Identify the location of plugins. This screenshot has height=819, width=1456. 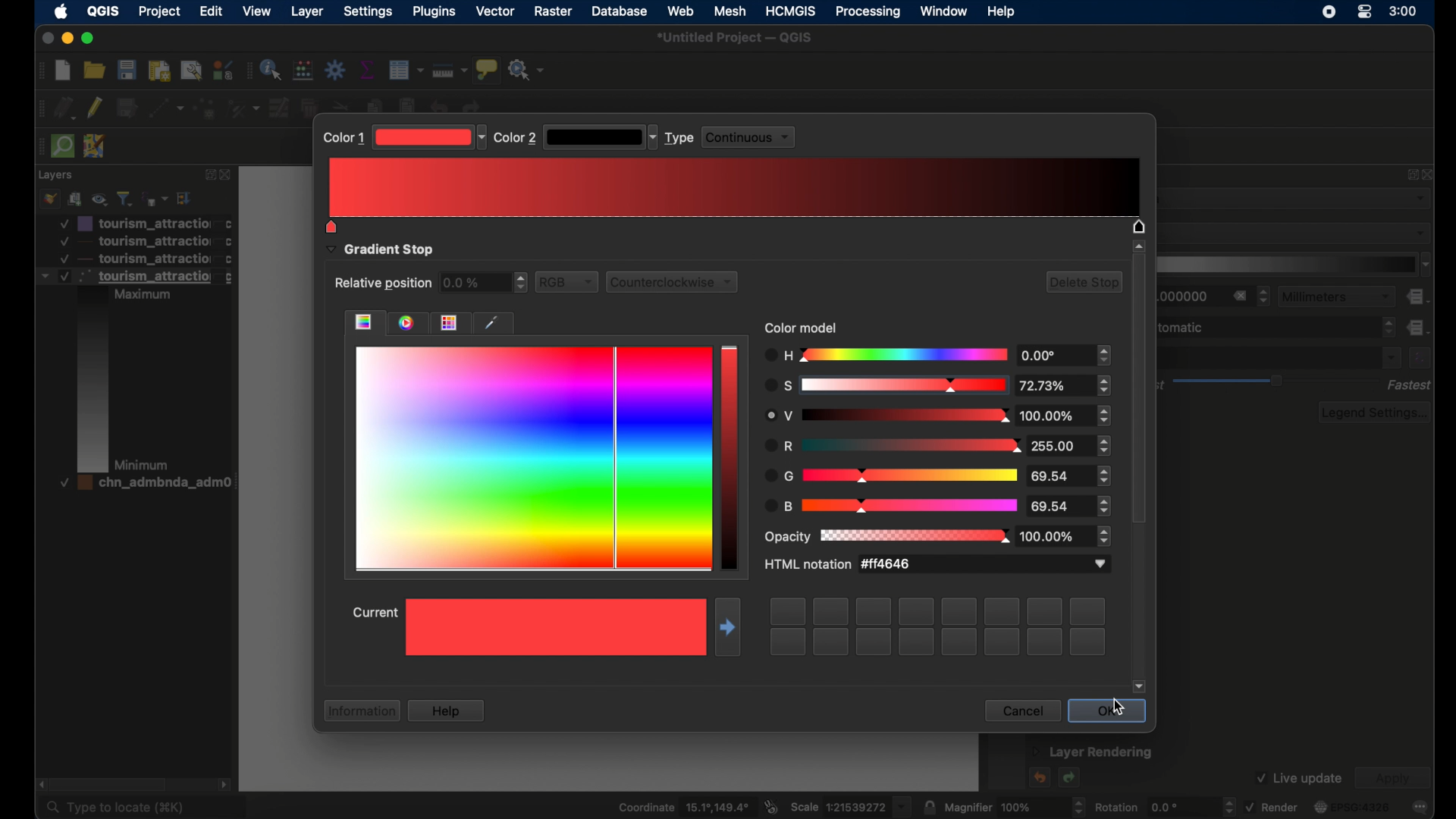
(435, 13).